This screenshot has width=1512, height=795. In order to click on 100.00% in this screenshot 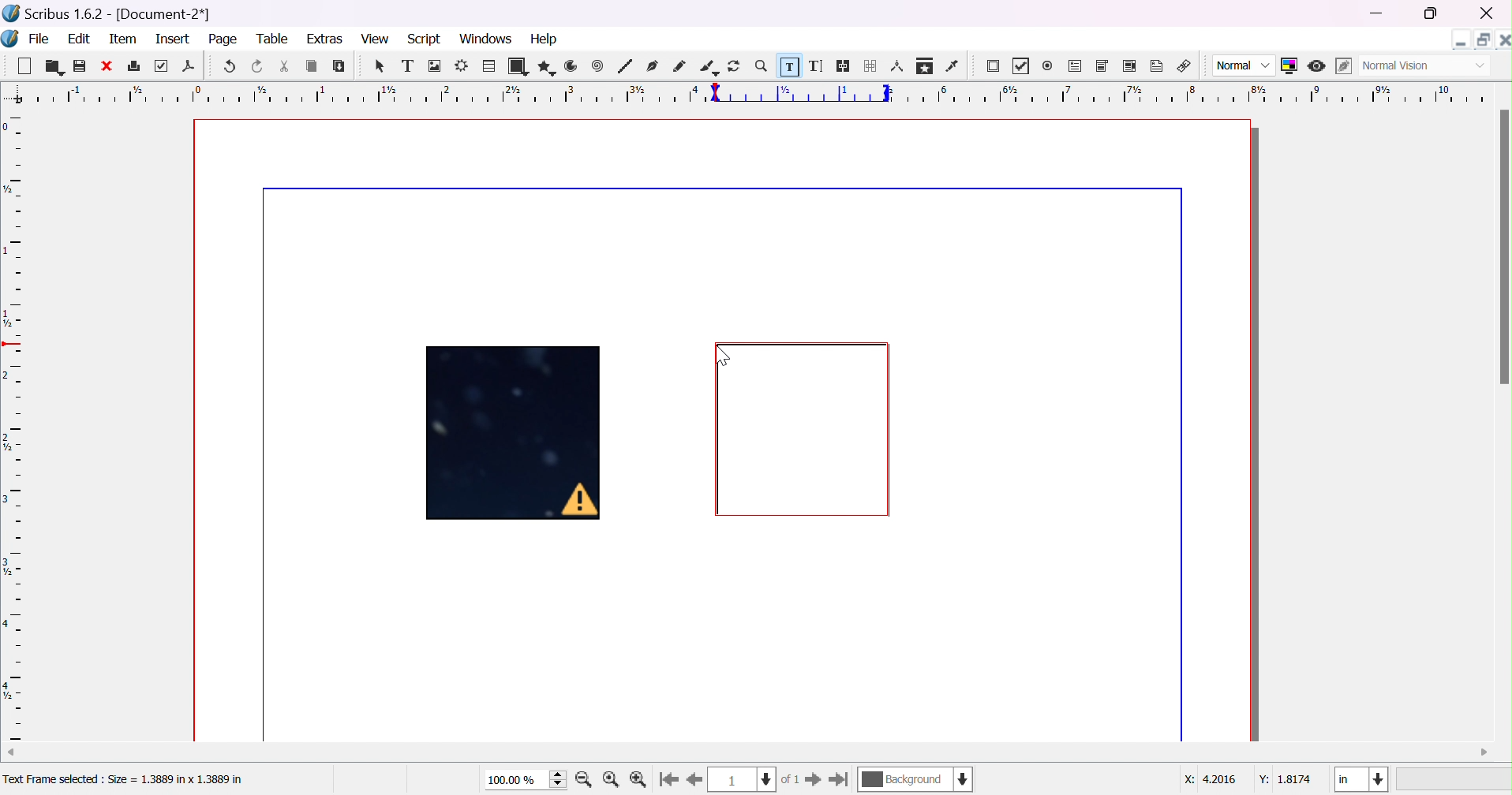, I will do `click(527, 780)`.